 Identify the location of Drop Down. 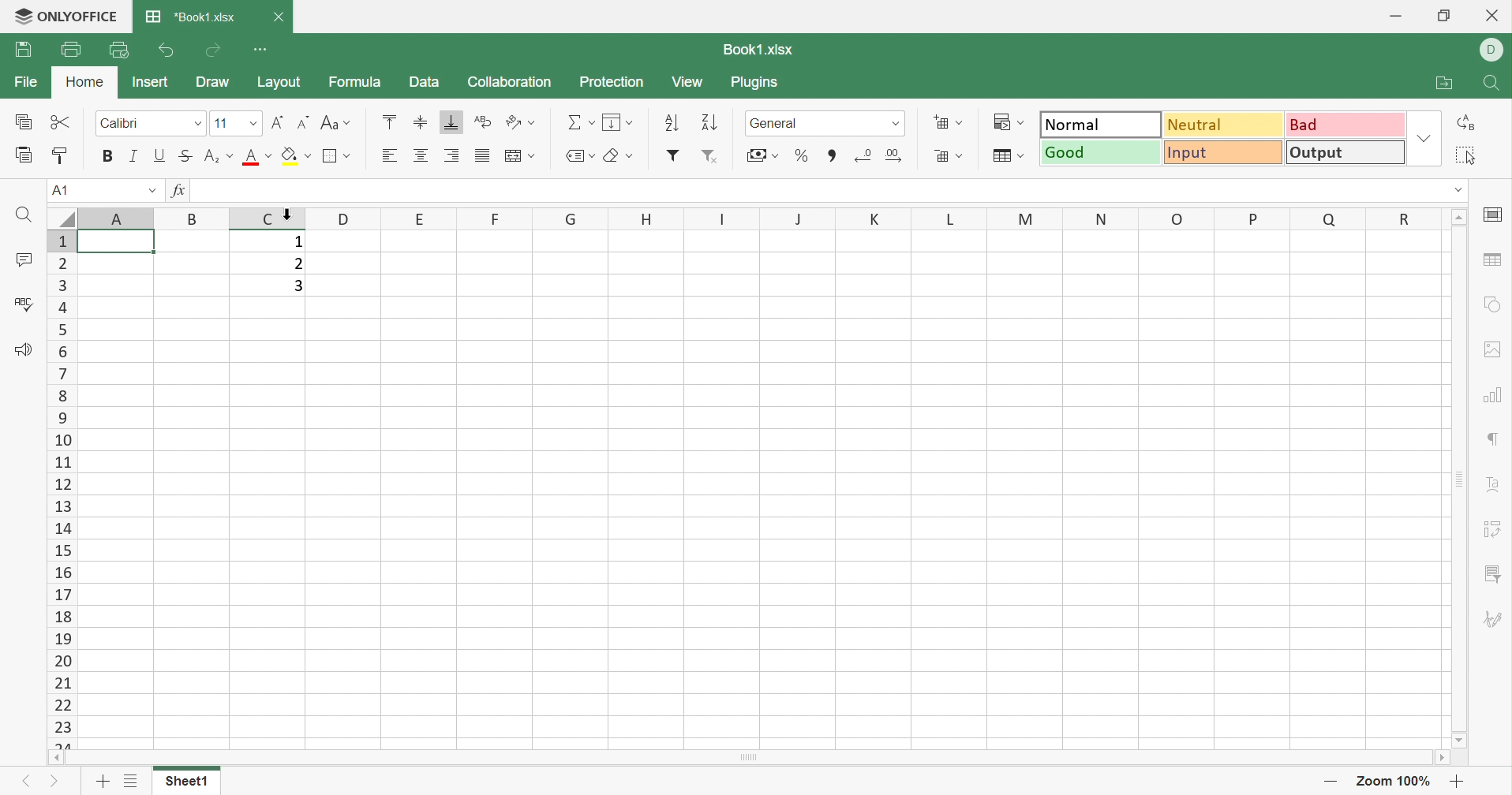
(1024, 123).